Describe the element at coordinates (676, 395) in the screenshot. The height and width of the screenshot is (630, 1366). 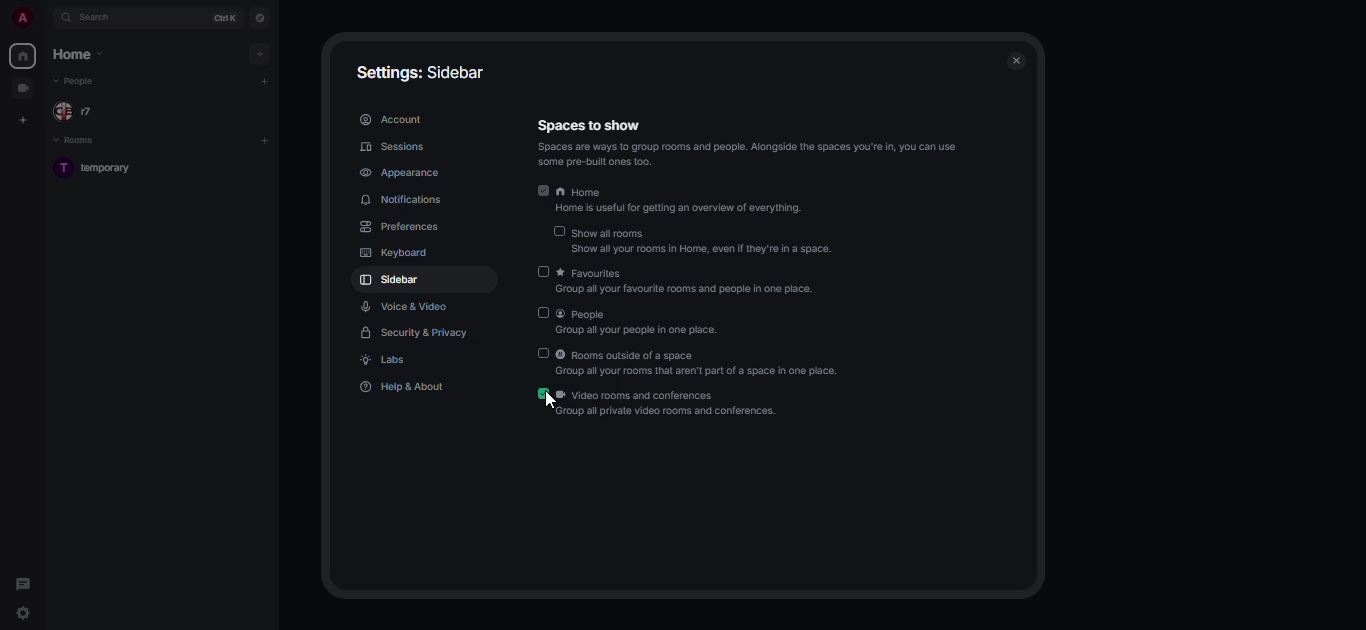
I see `video rooms and conferences.` at that location.